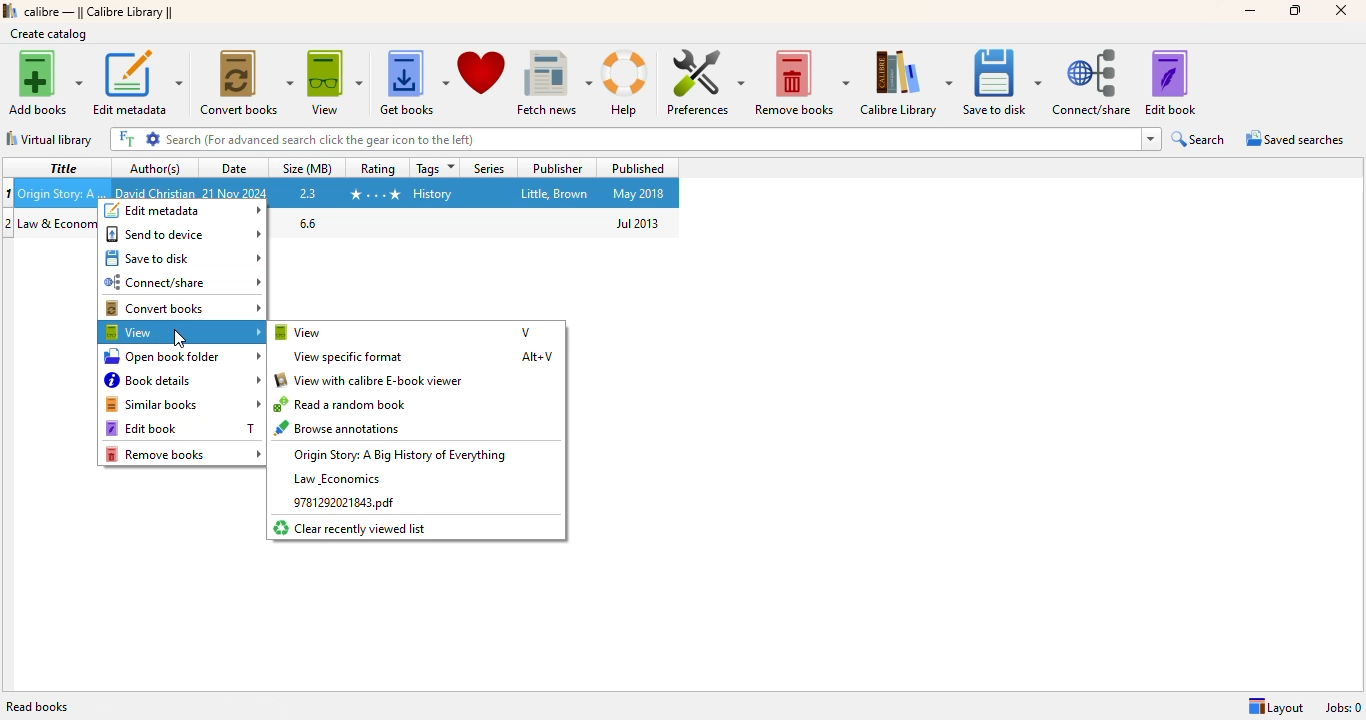 Image resolution: width=1366 pixels, height=720 pixels. I want to click on convert books, so click(246, 83).